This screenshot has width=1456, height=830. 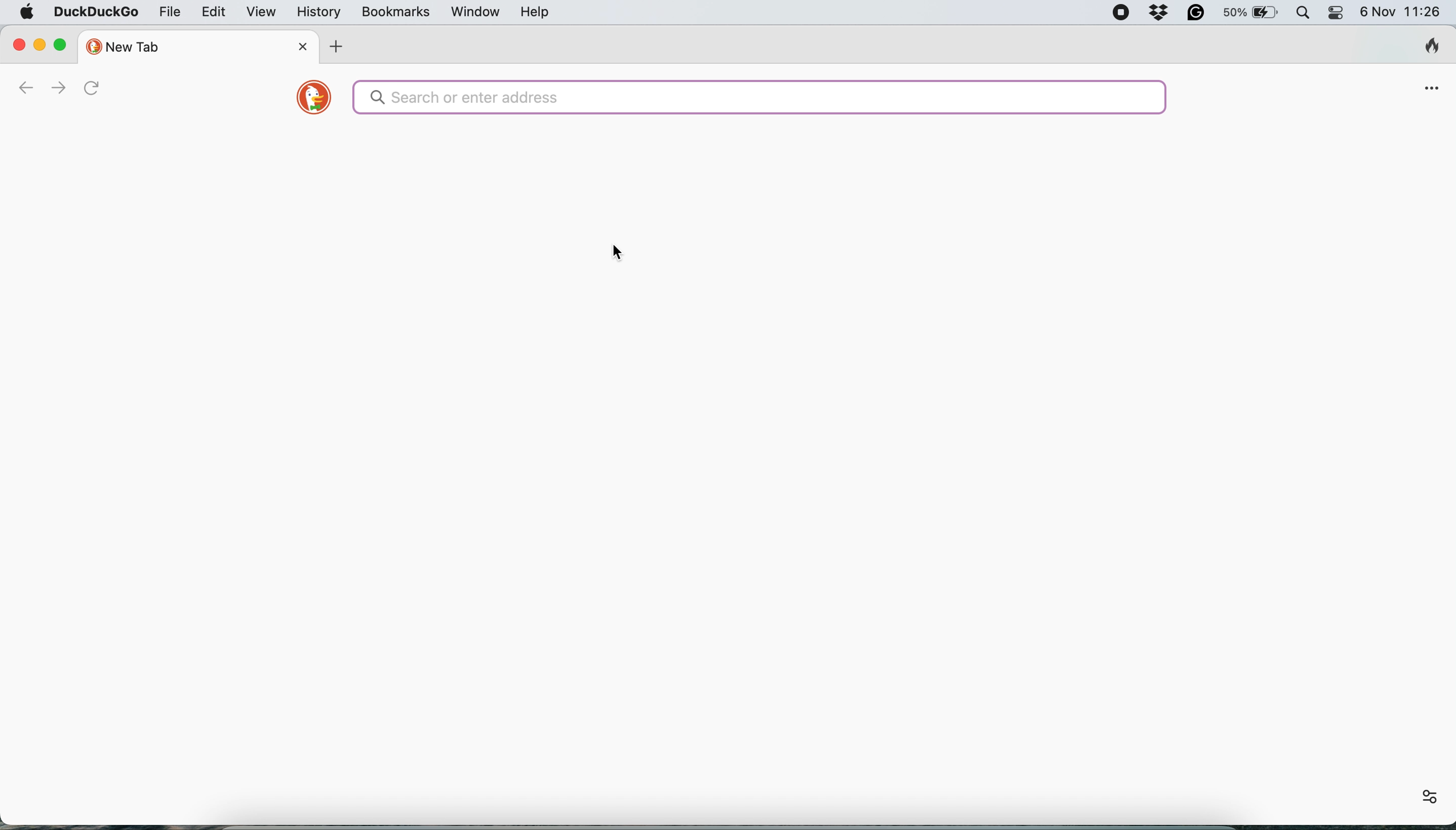 I want to click on minimise, so click(x=41, y=47).